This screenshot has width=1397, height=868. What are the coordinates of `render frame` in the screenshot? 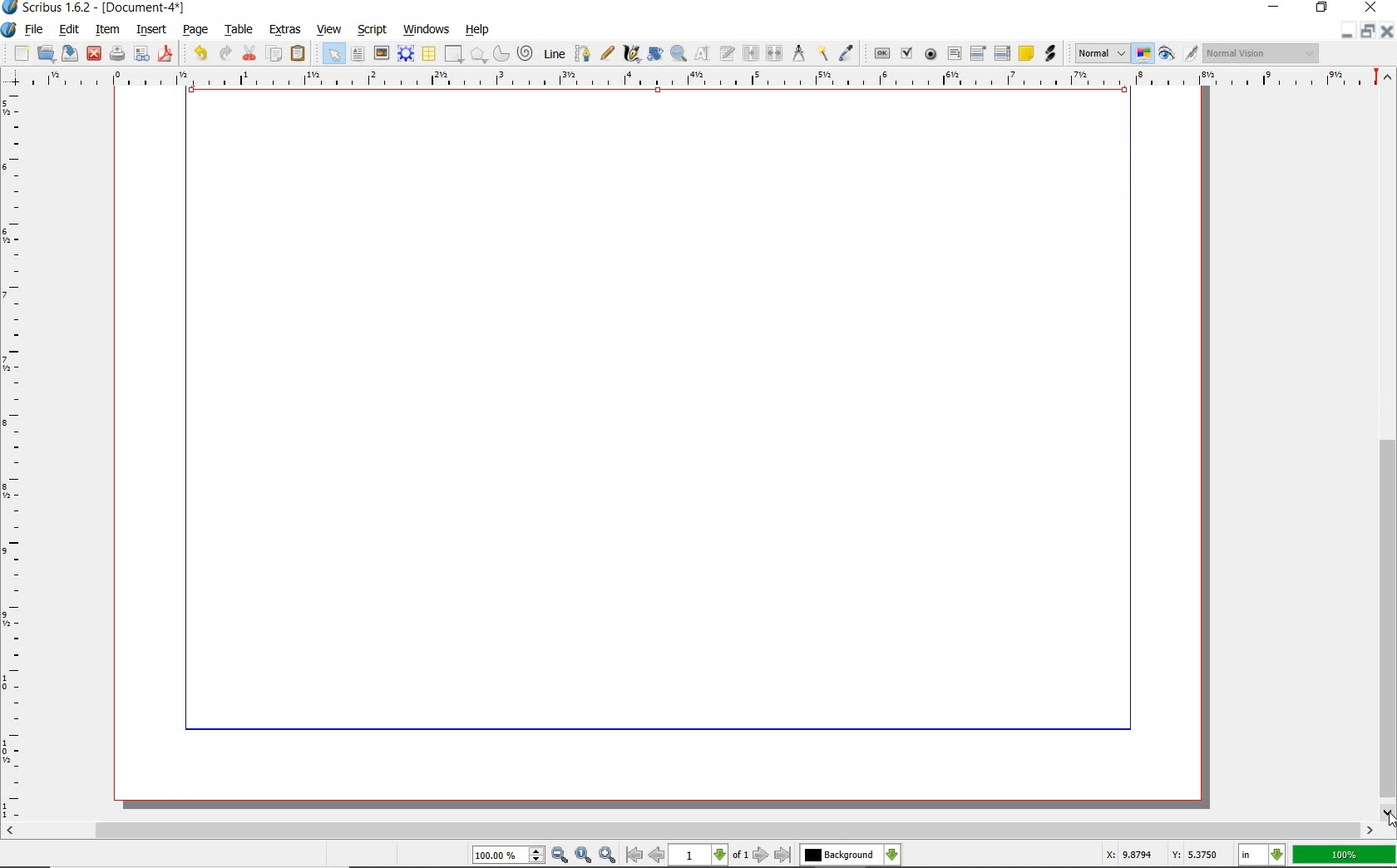 It's located at (407, 55).